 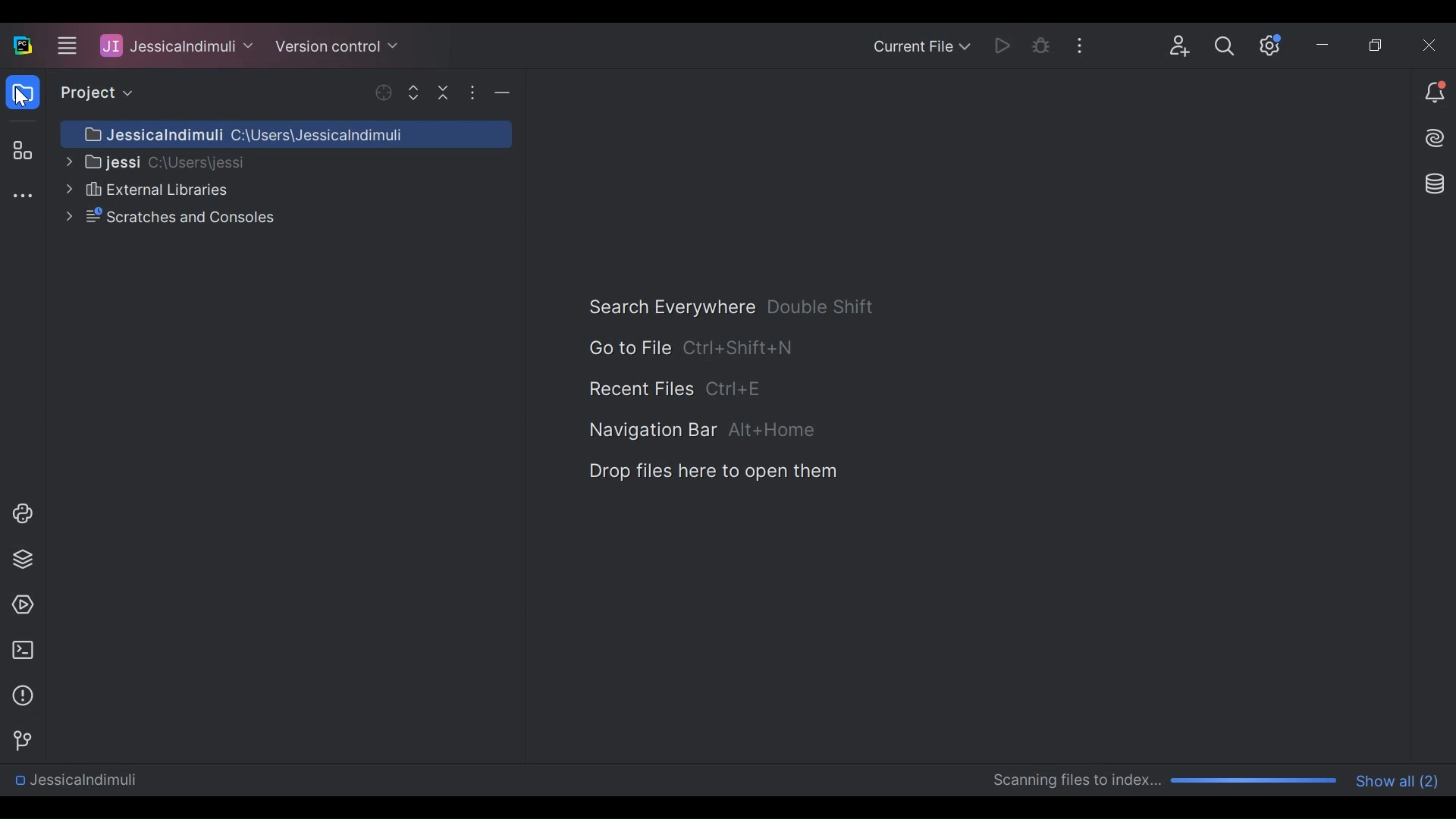 What do you see at coordinates (336, 47) in the screenshot?
I see `Version Control` at bounding box center [336, 47].